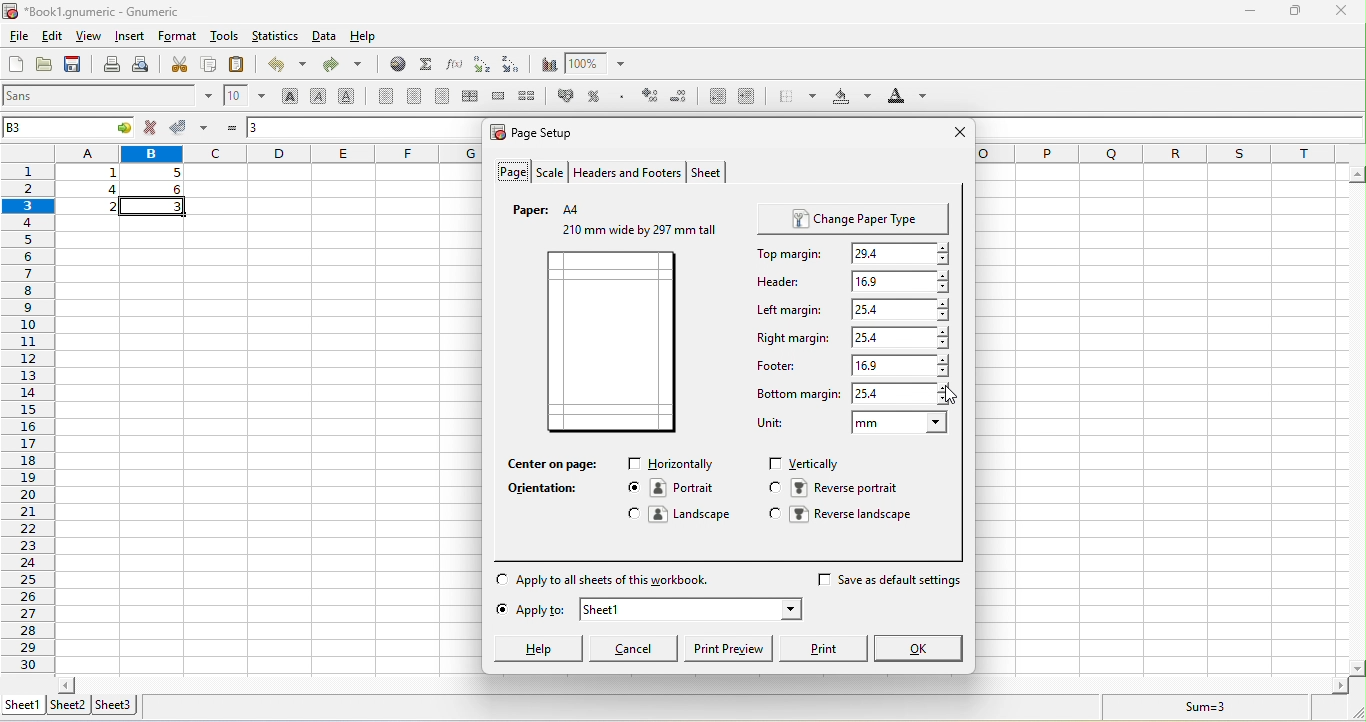 The image size is (1366, 722). Describe the element at coordinates (145, 65) in the screenshot. I see `print preview` at that location.